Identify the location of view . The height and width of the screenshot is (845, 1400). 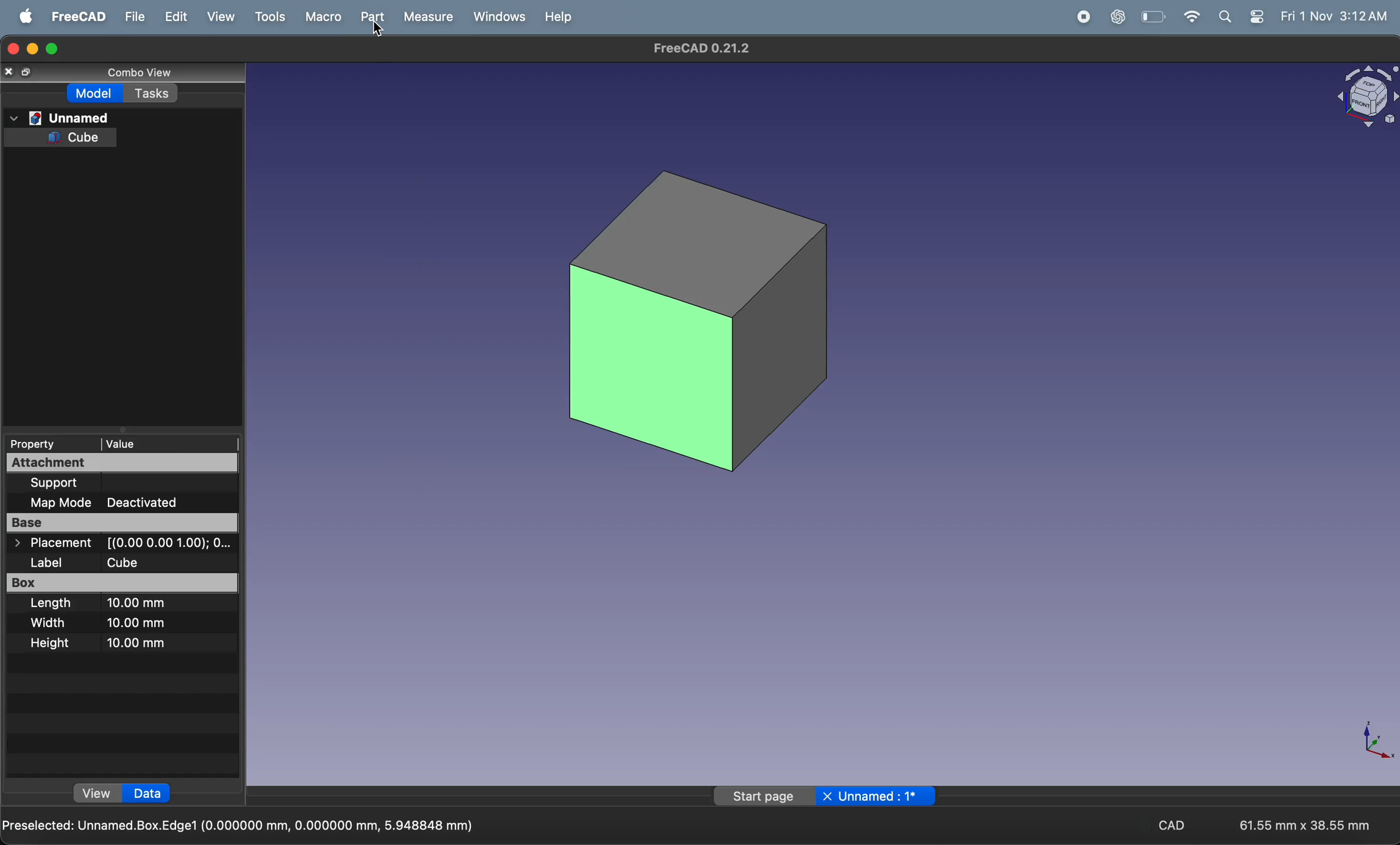
(95, 791).